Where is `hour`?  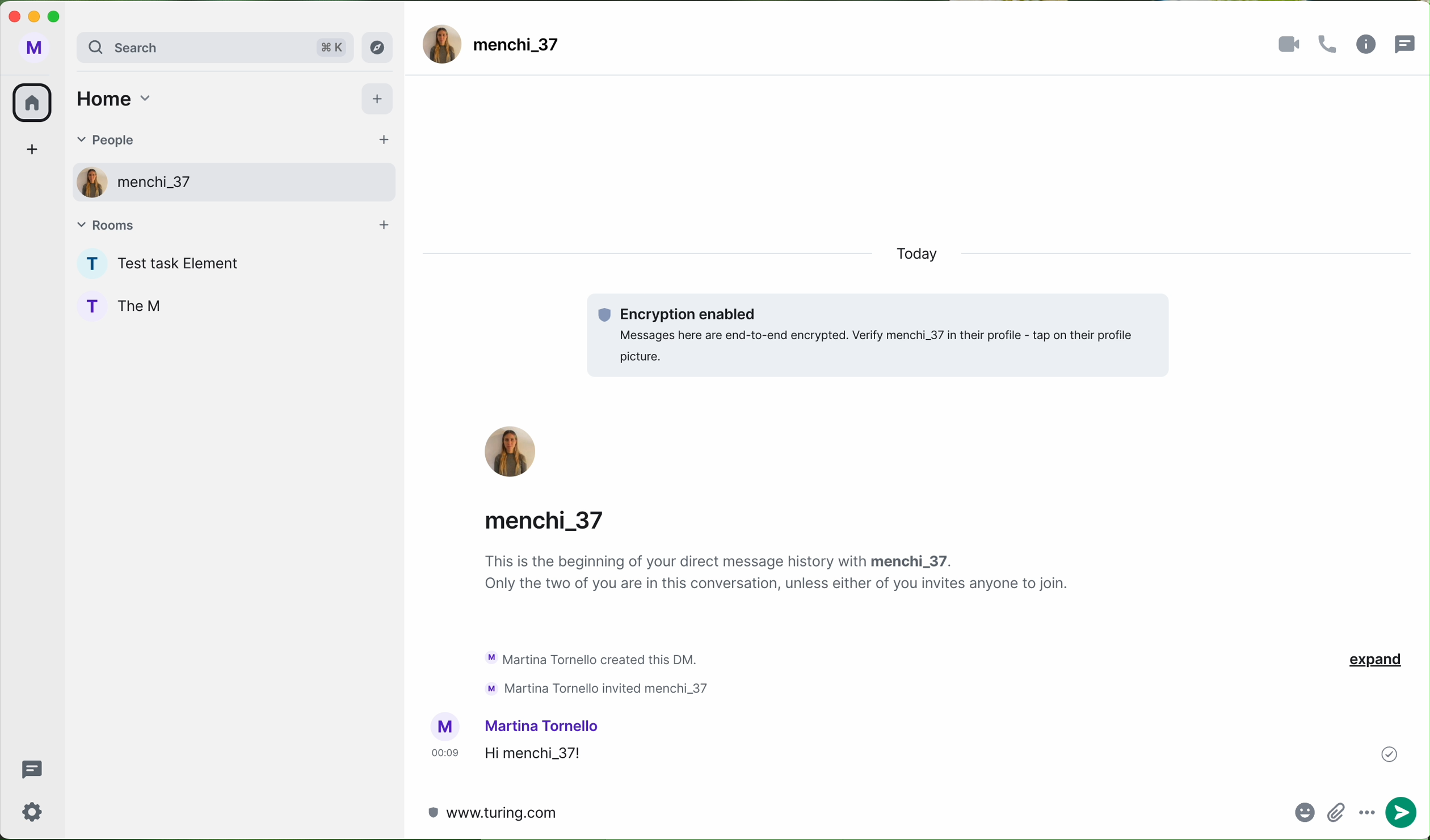
hour is located at coordinates (445, 753).